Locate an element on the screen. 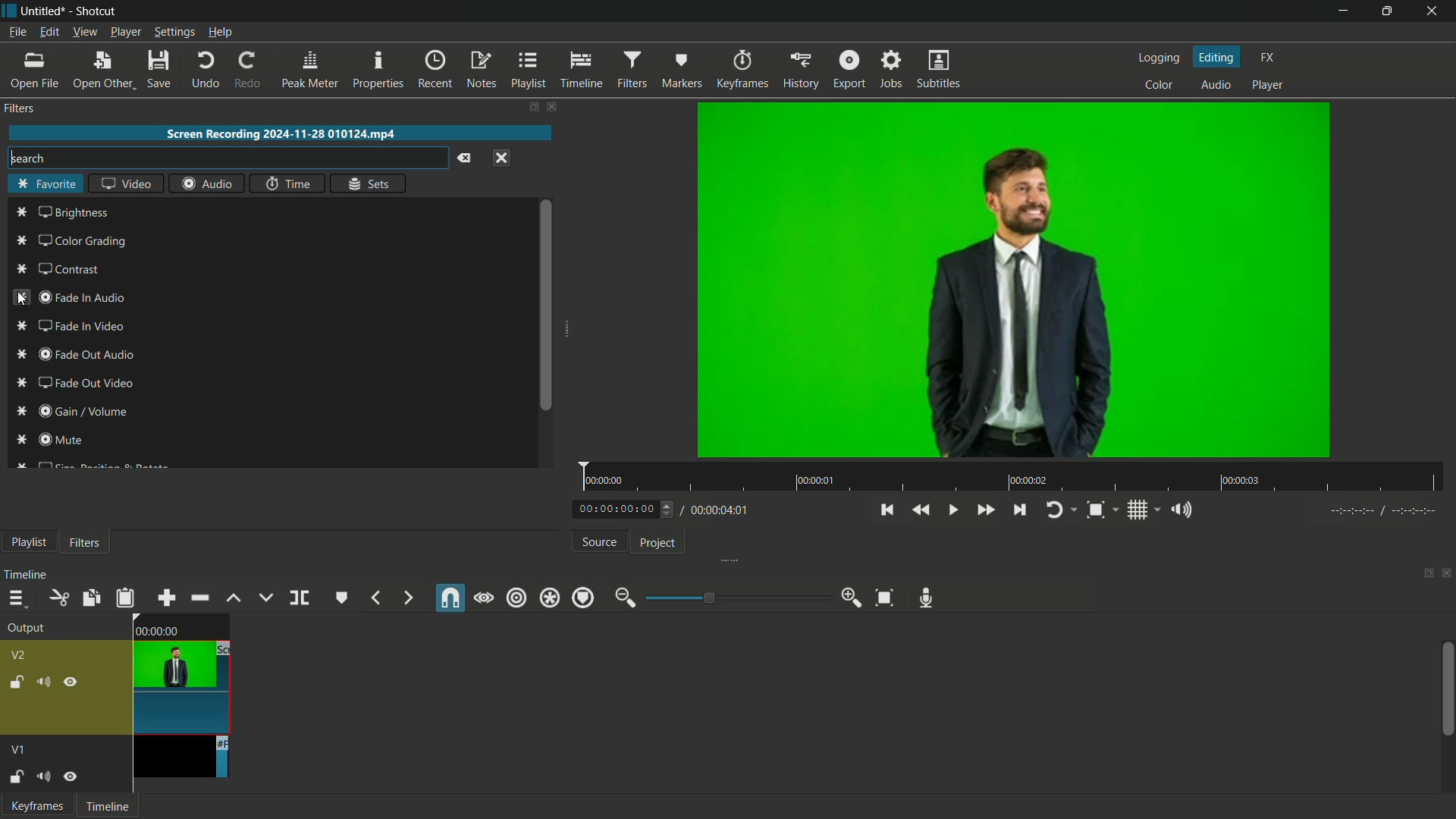 The image size is (1456, 819). lock is located at coordinates (15, 682).